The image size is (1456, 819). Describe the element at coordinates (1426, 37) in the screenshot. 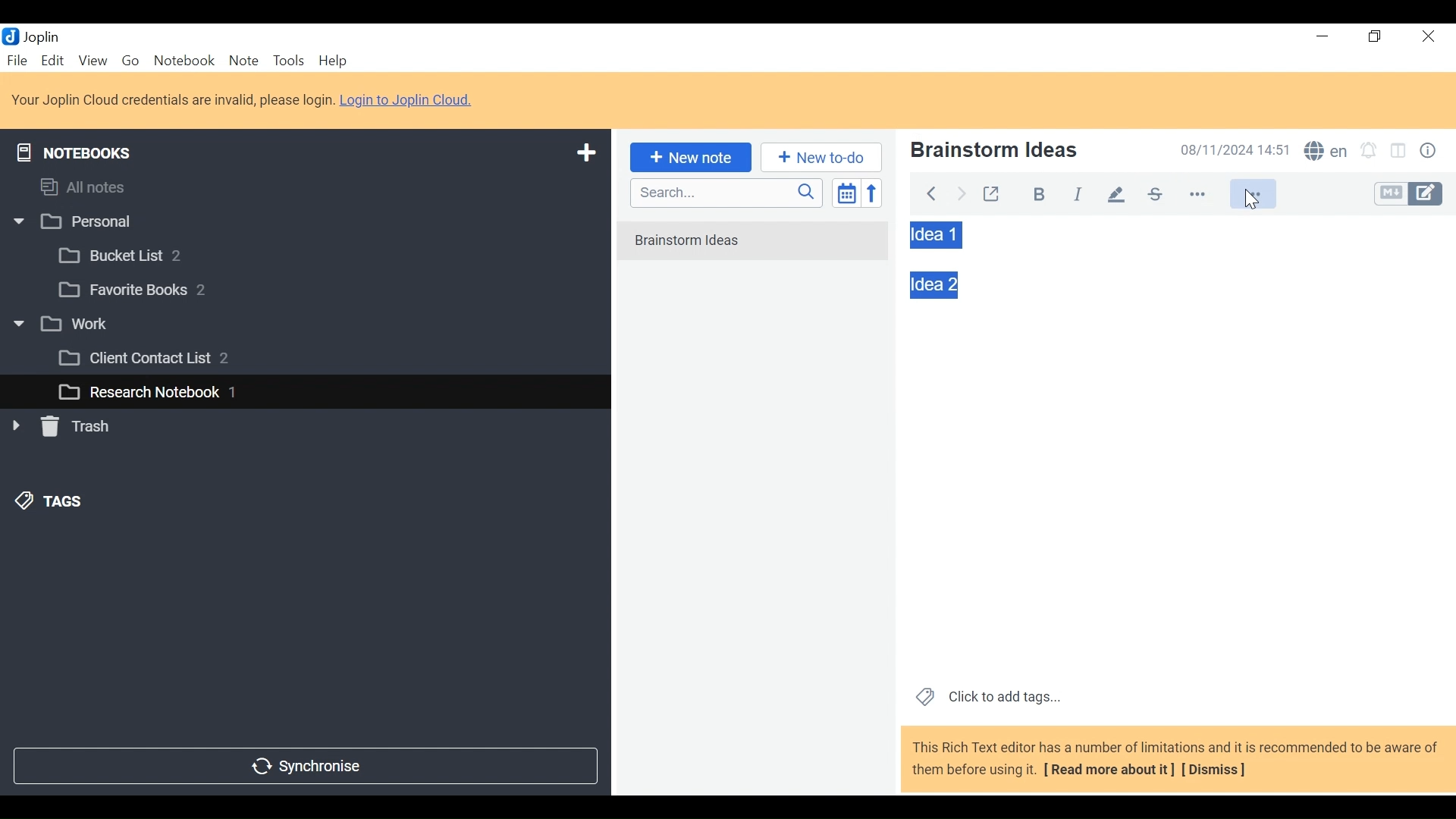

I see `Close` at that location.